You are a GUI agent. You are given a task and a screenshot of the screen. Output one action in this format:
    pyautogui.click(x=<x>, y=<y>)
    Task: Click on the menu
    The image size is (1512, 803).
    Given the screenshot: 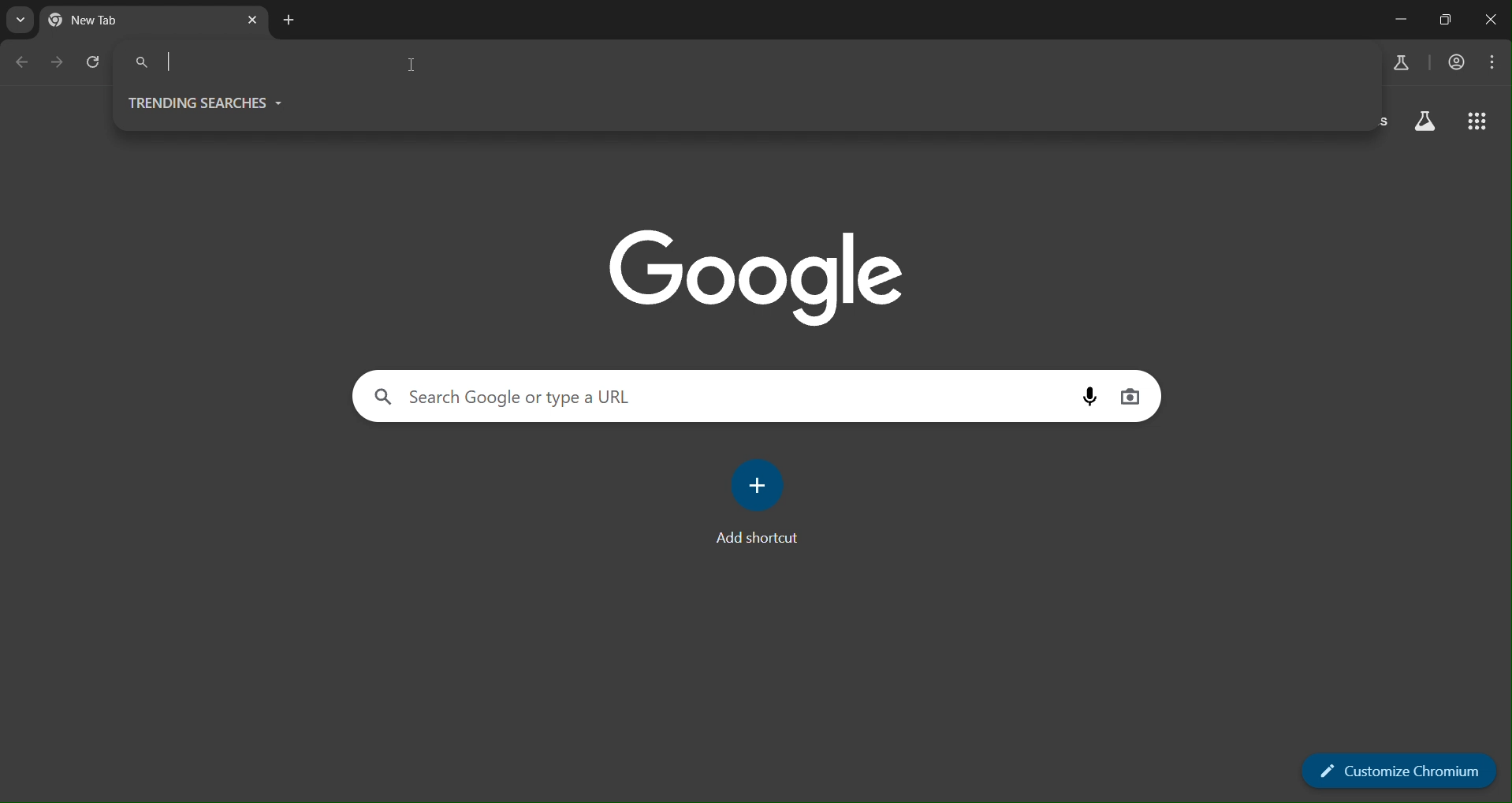 What is the action you would take?
    pyautogui.click(x=1492, y=64)
    